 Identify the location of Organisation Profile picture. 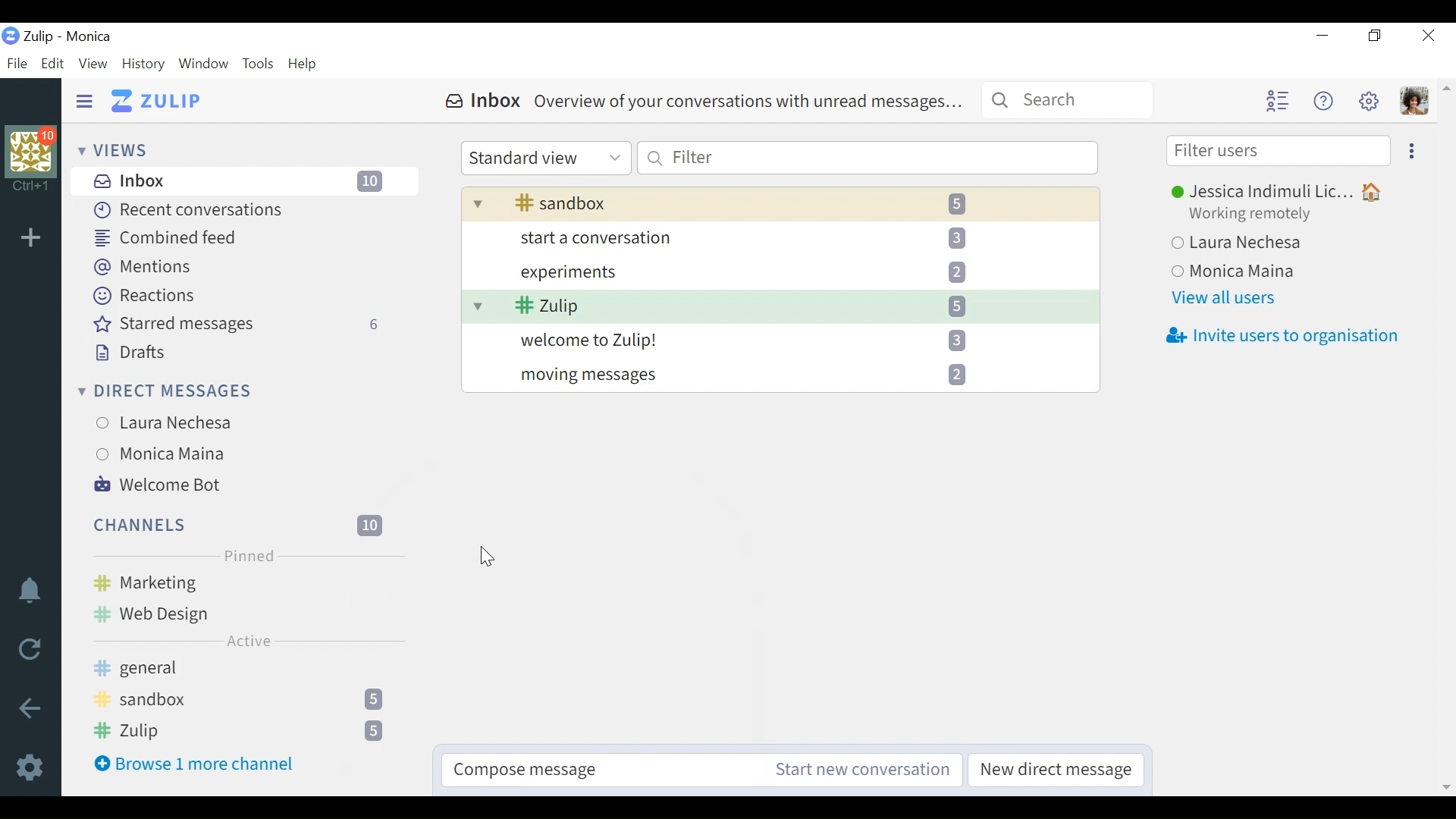
(33, 152).